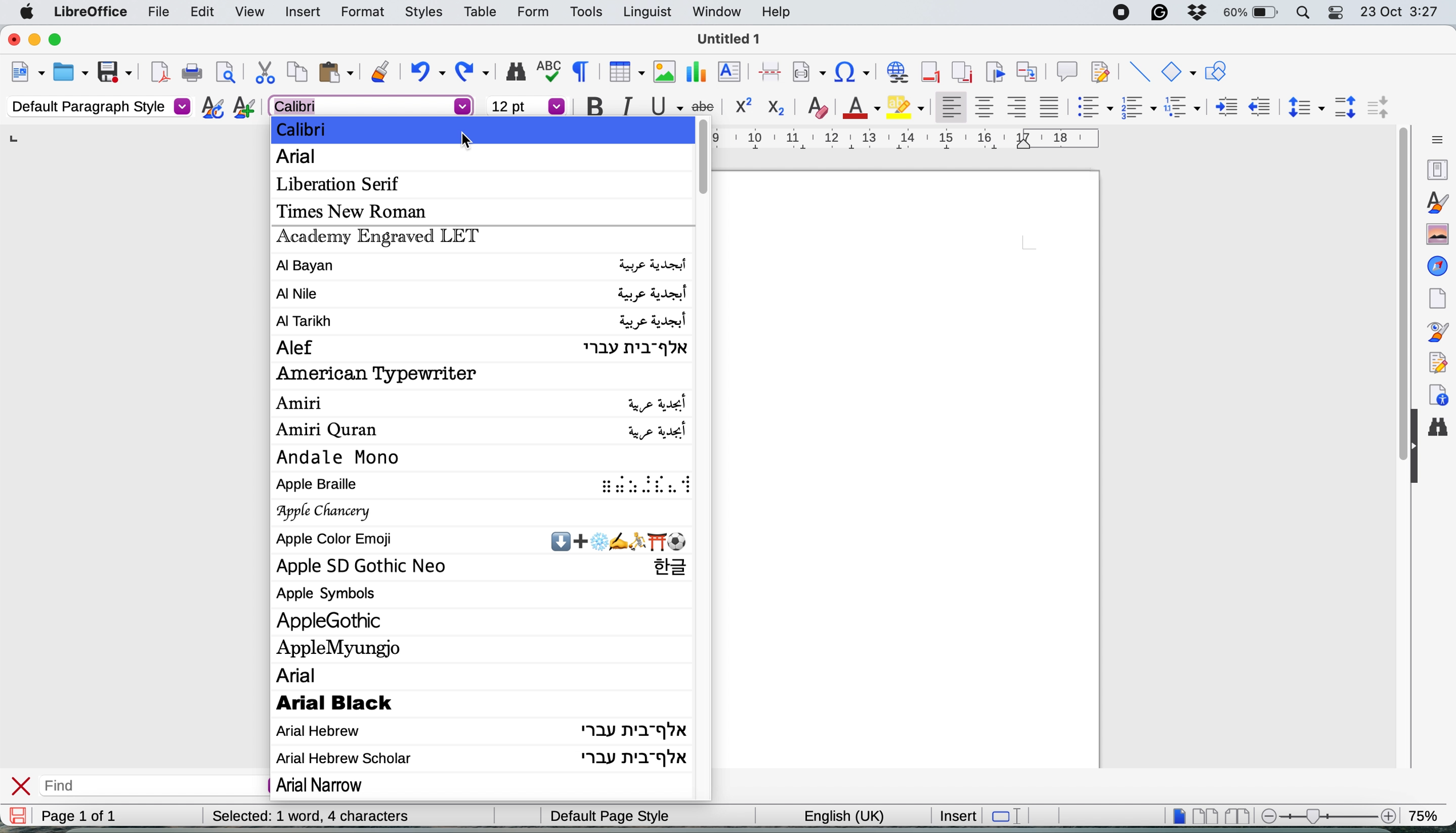 The height and width of the screenshot is (833, 1456). What do you see at coordinates (607, 816) in the screenshot?
I see `default page style` at bounding box center [607, 816].